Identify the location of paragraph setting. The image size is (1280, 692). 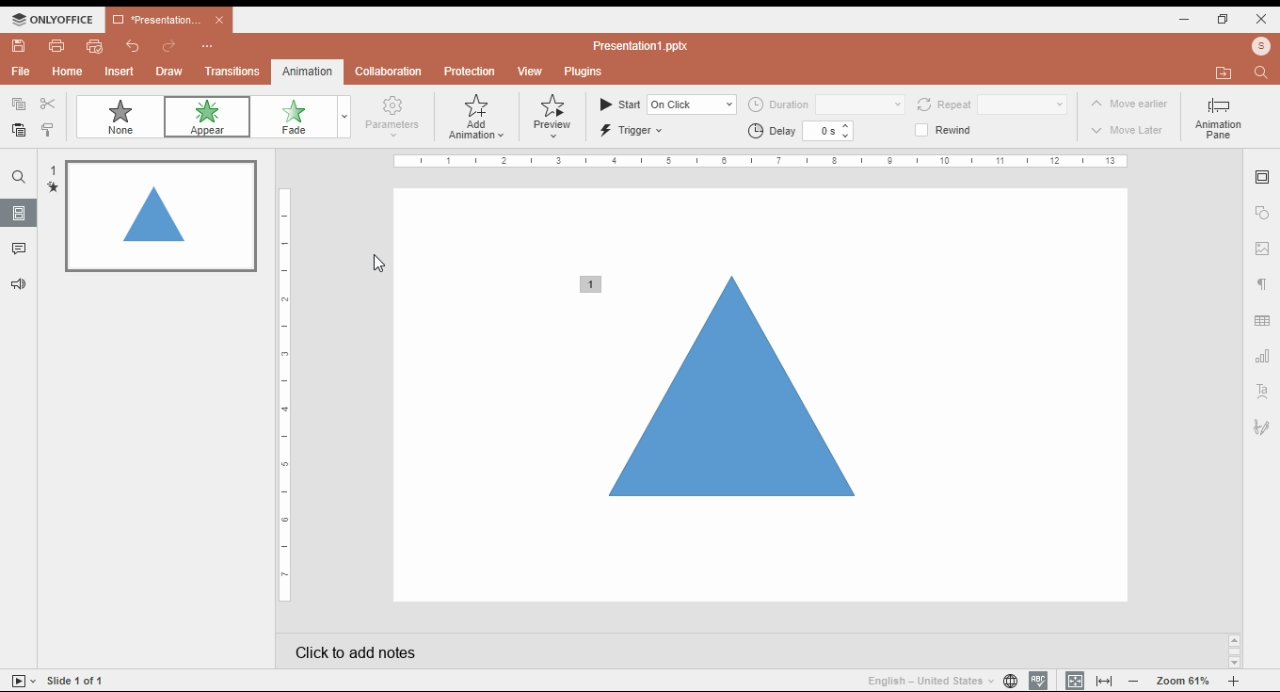
(1266, 284).